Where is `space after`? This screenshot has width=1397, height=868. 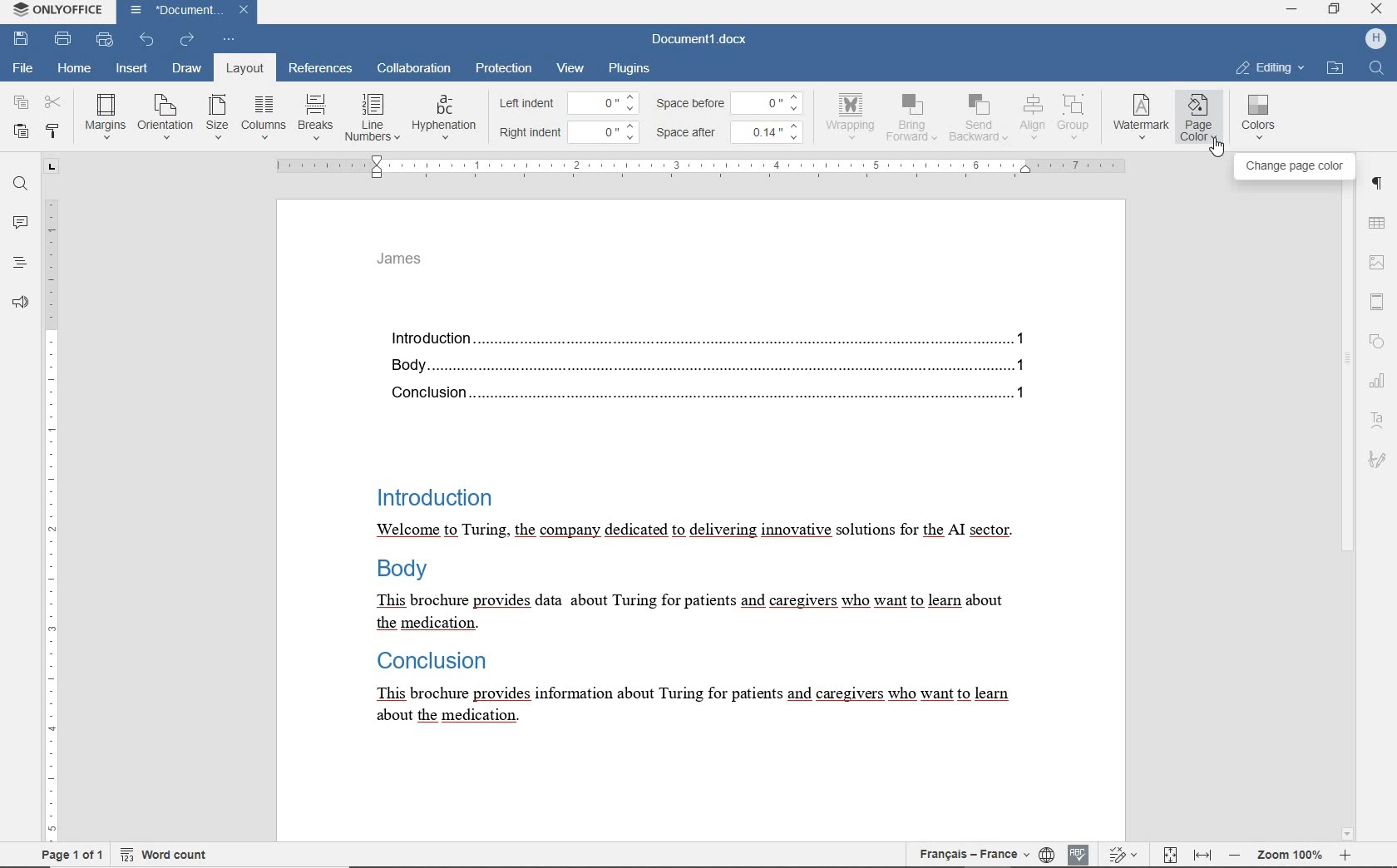 space after is located at coordinates (689, 132).